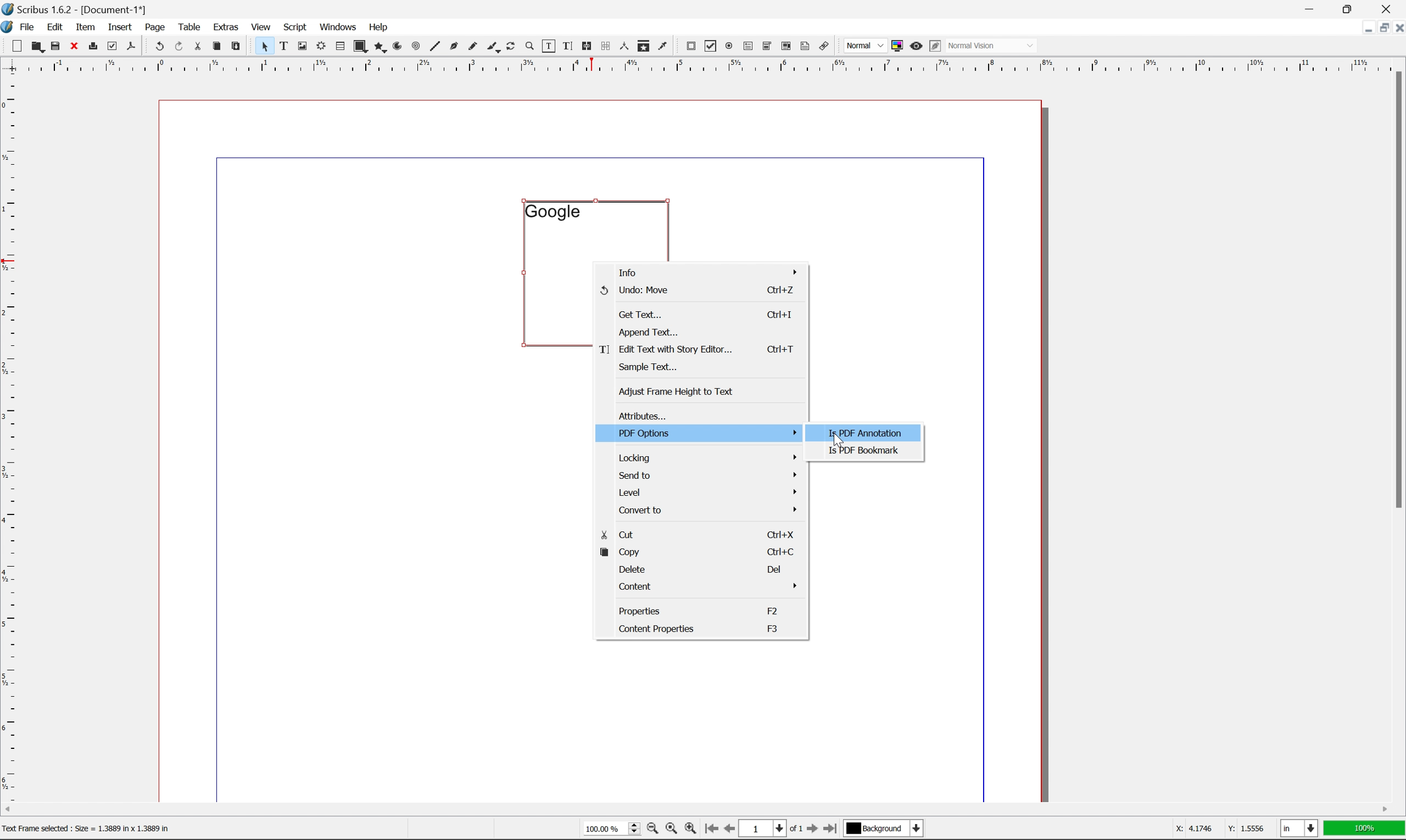 The image size is (1406, 840). I want to click on pdf list box, so click(785, 48).